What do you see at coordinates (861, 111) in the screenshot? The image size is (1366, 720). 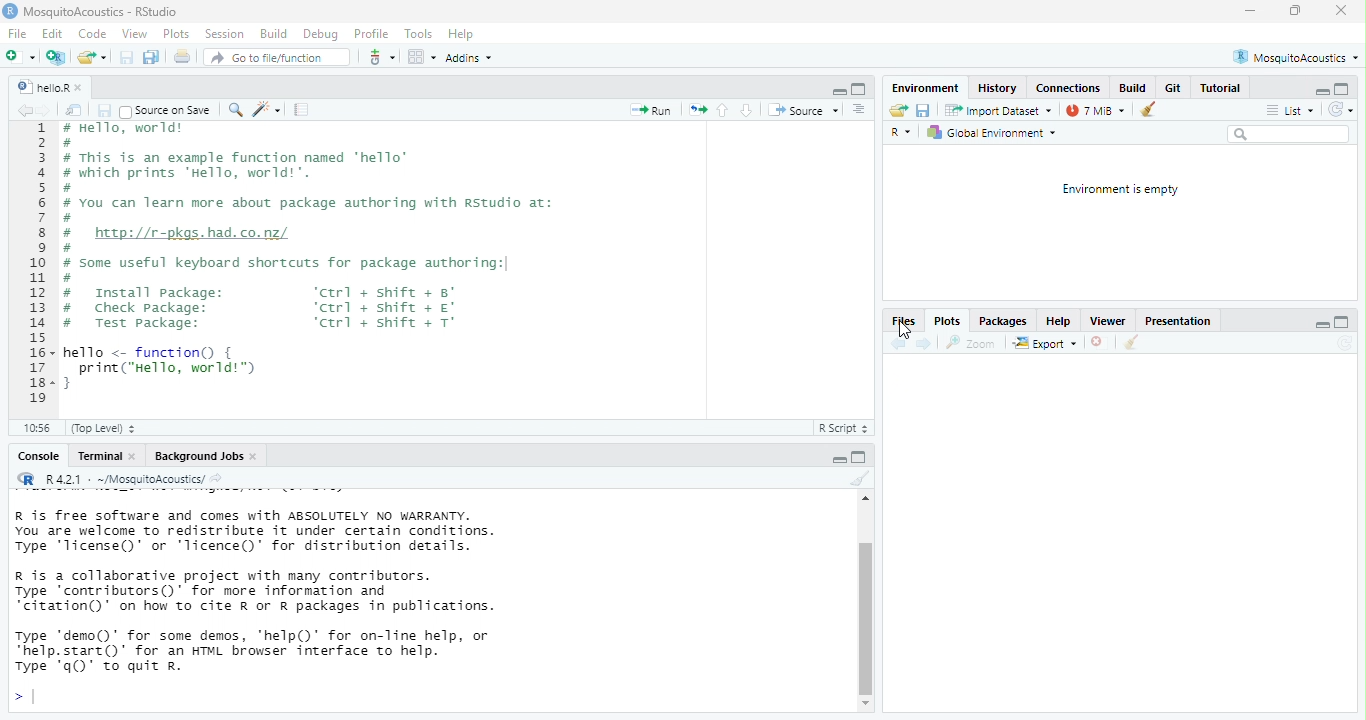 I see `show document outline` at bounding box center [861, 111].